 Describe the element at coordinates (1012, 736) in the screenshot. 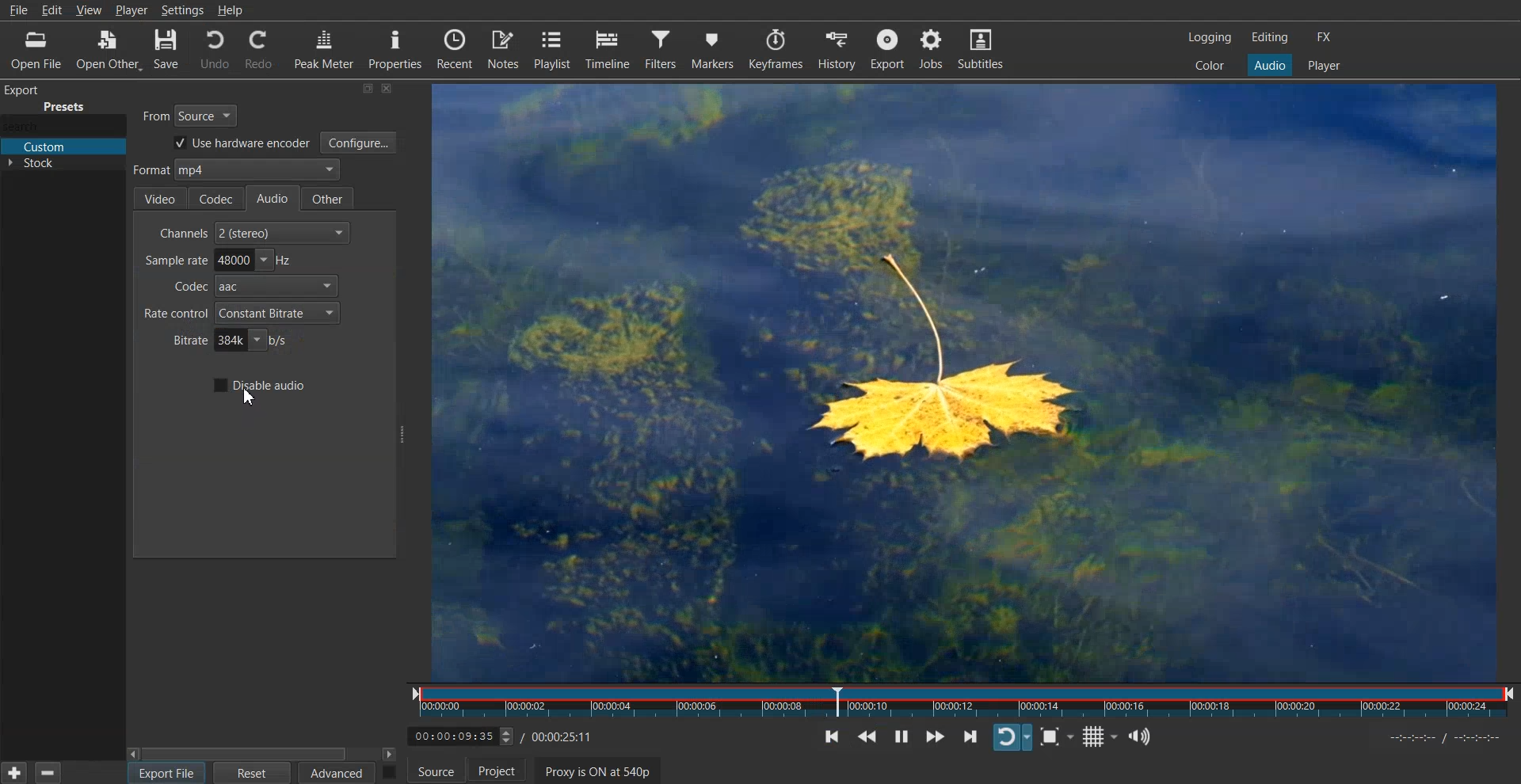

I see `Toggle player looping` at that location.